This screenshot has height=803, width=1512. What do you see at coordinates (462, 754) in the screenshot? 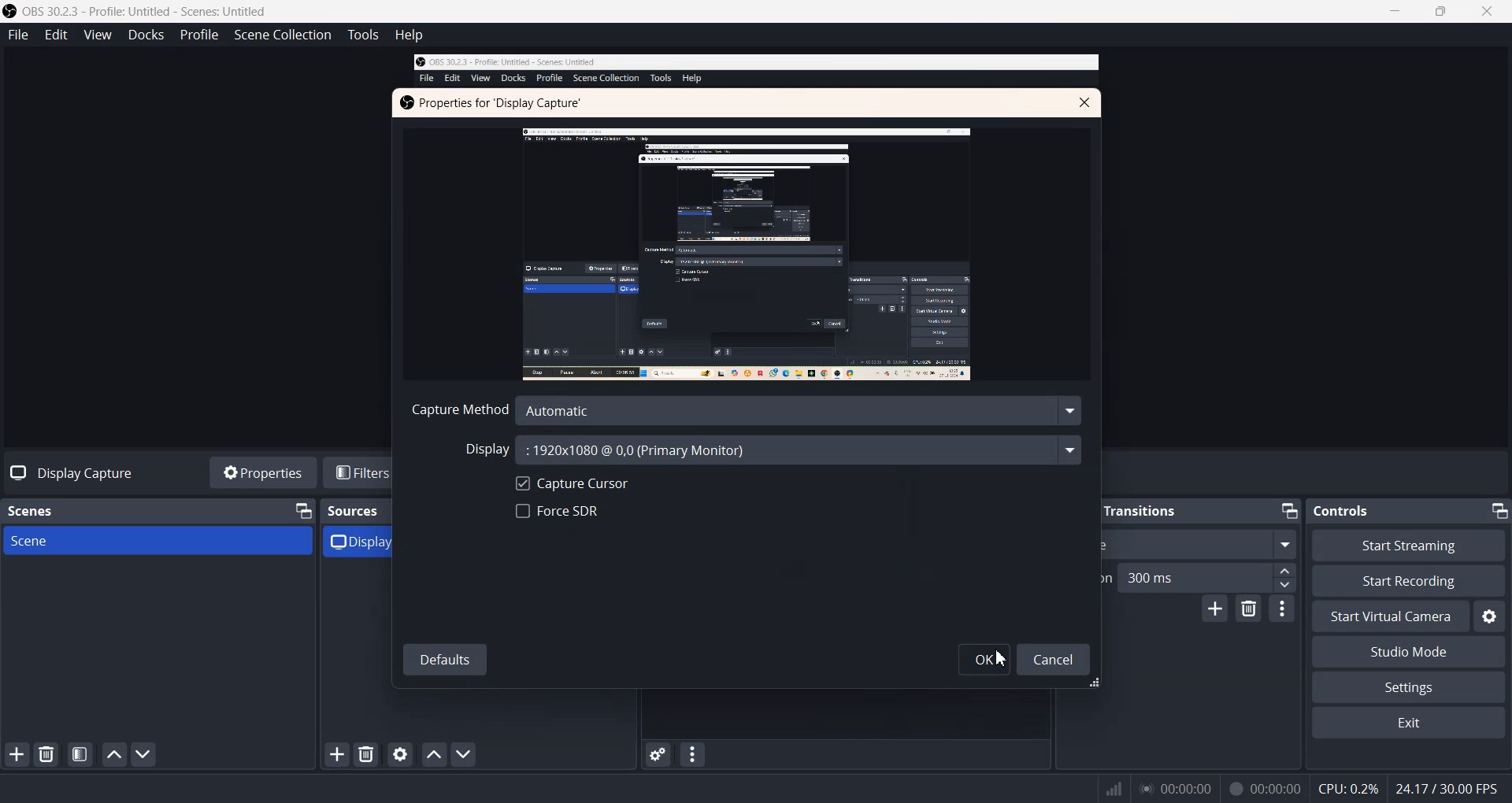
I see `Move source down` at bounding box center [462, 754].